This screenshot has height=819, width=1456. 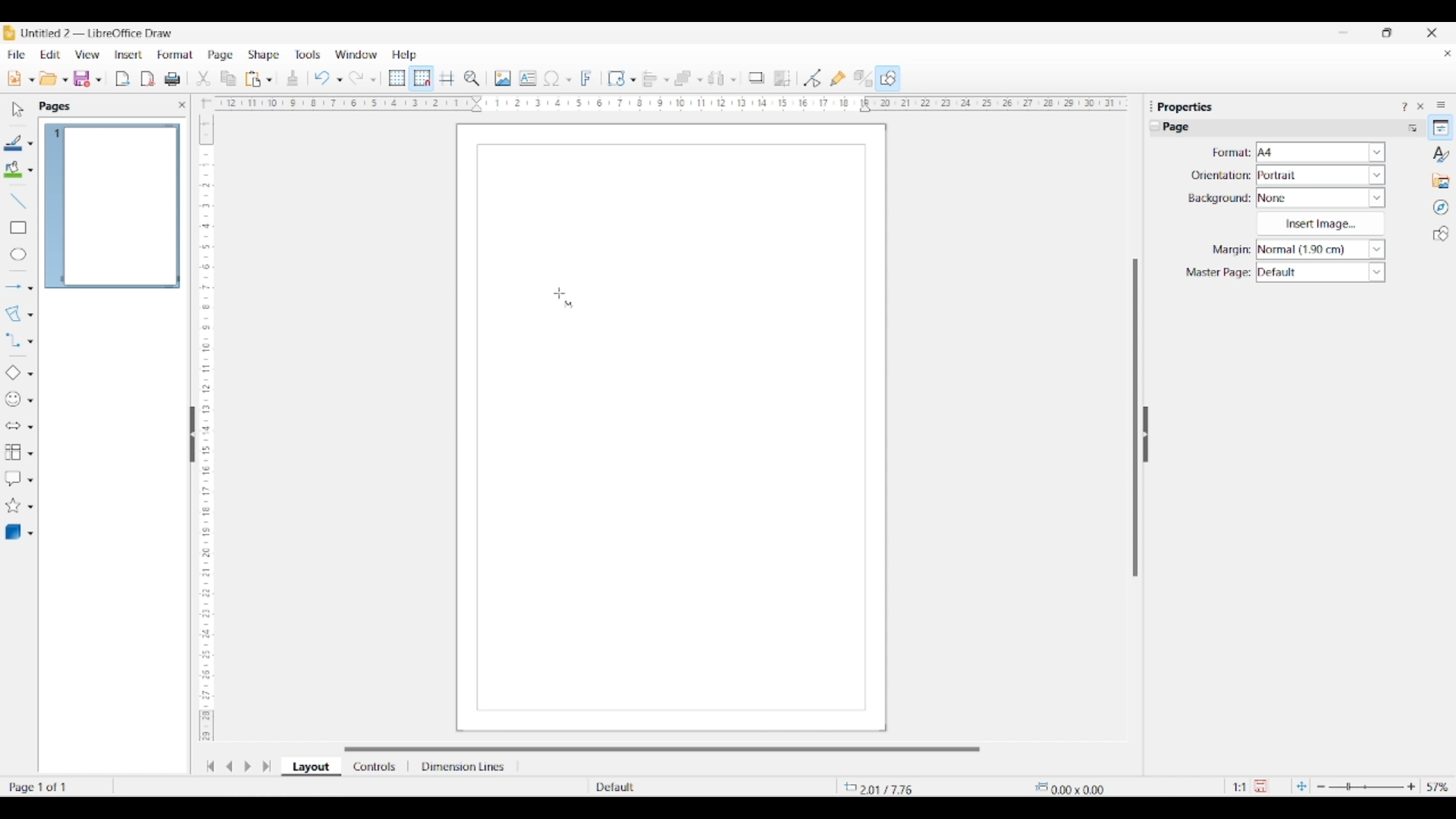 I want to click on 3D shape options, so click(x=30, y=534).